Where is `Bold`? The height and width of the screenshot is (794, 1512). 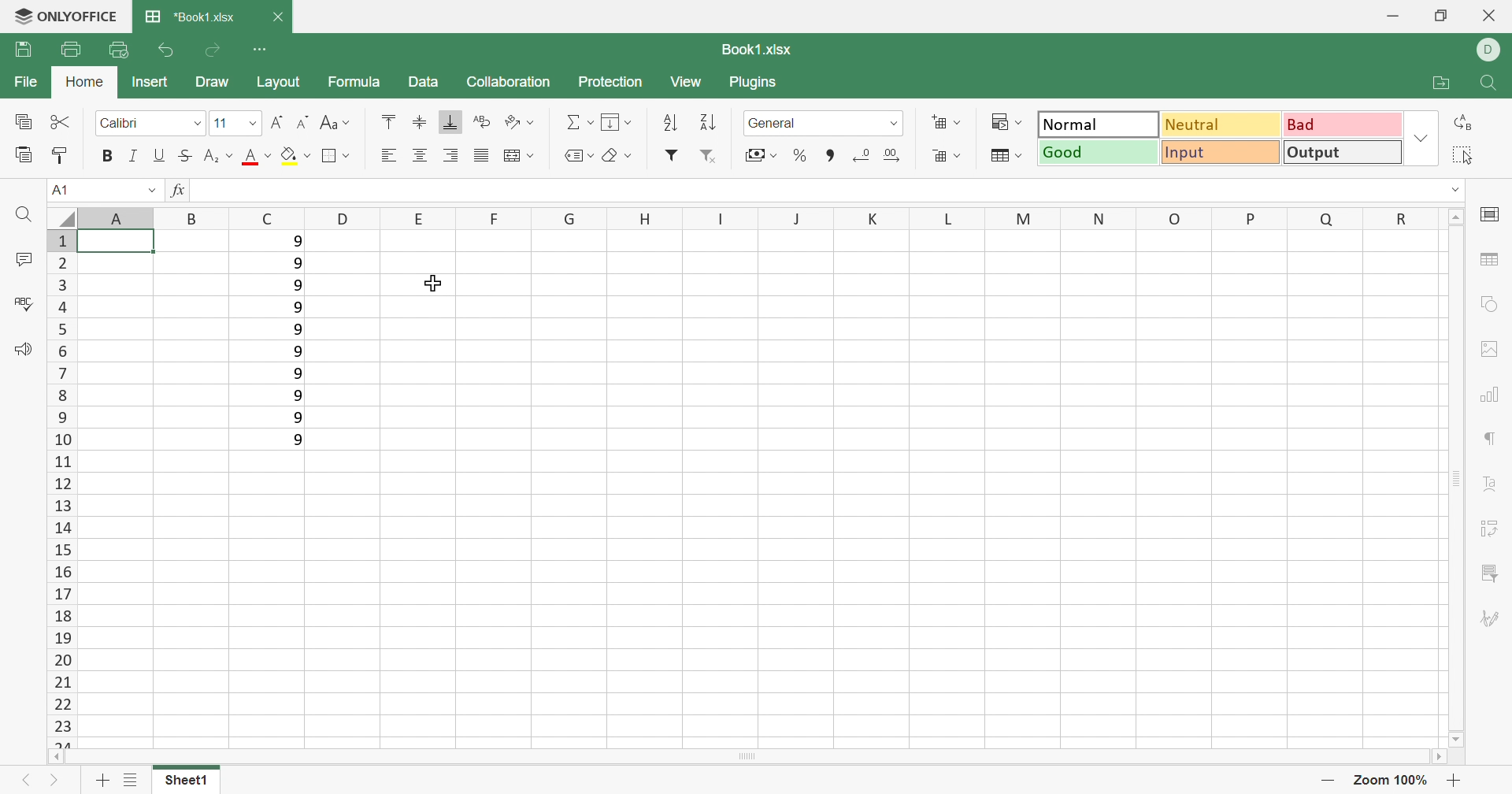
Bold is located at coordinates (108, 156).